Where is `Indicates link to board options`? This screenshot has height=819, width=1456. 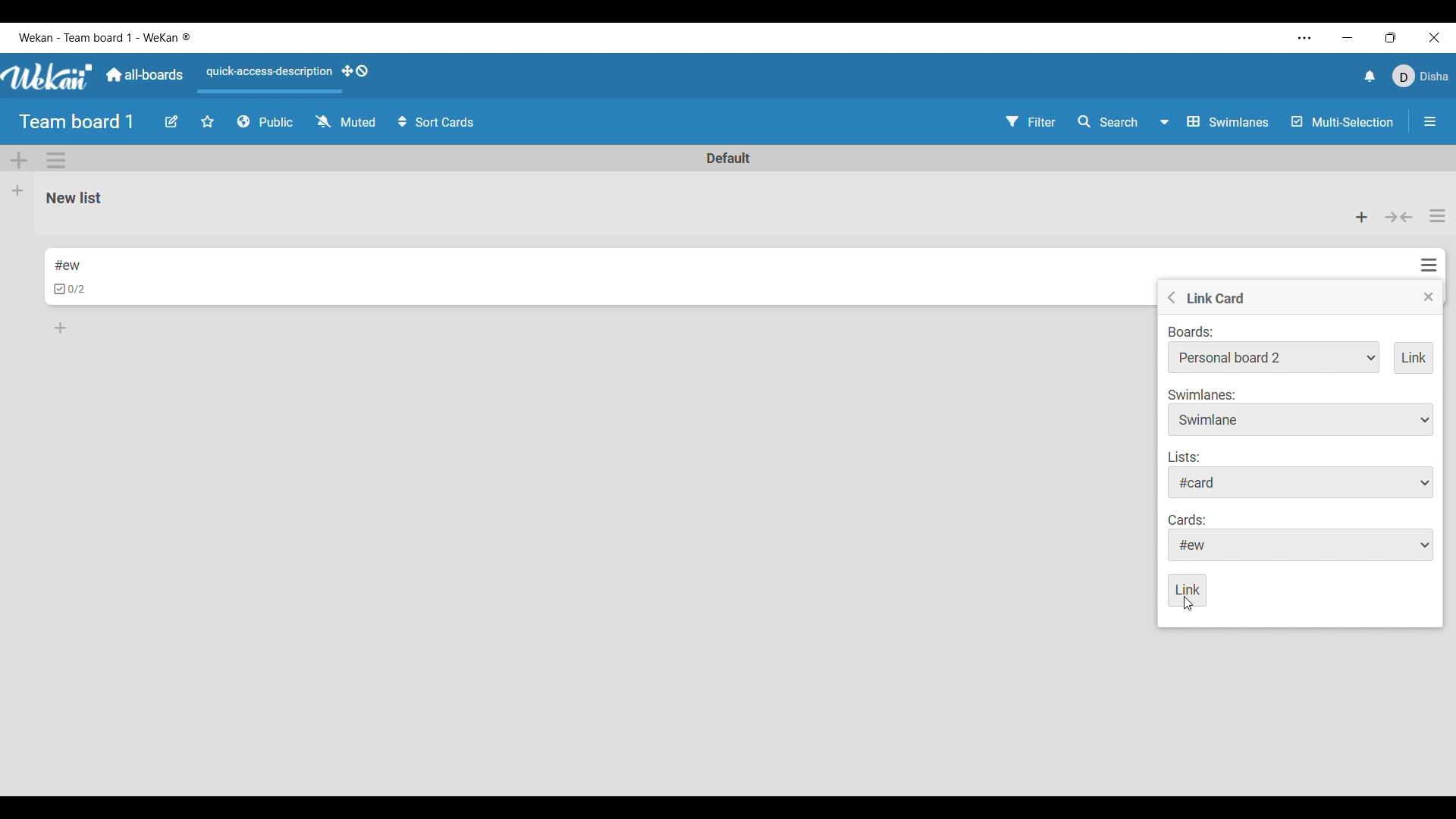
Indicates link to board options is located at coordinates (1191, 332).